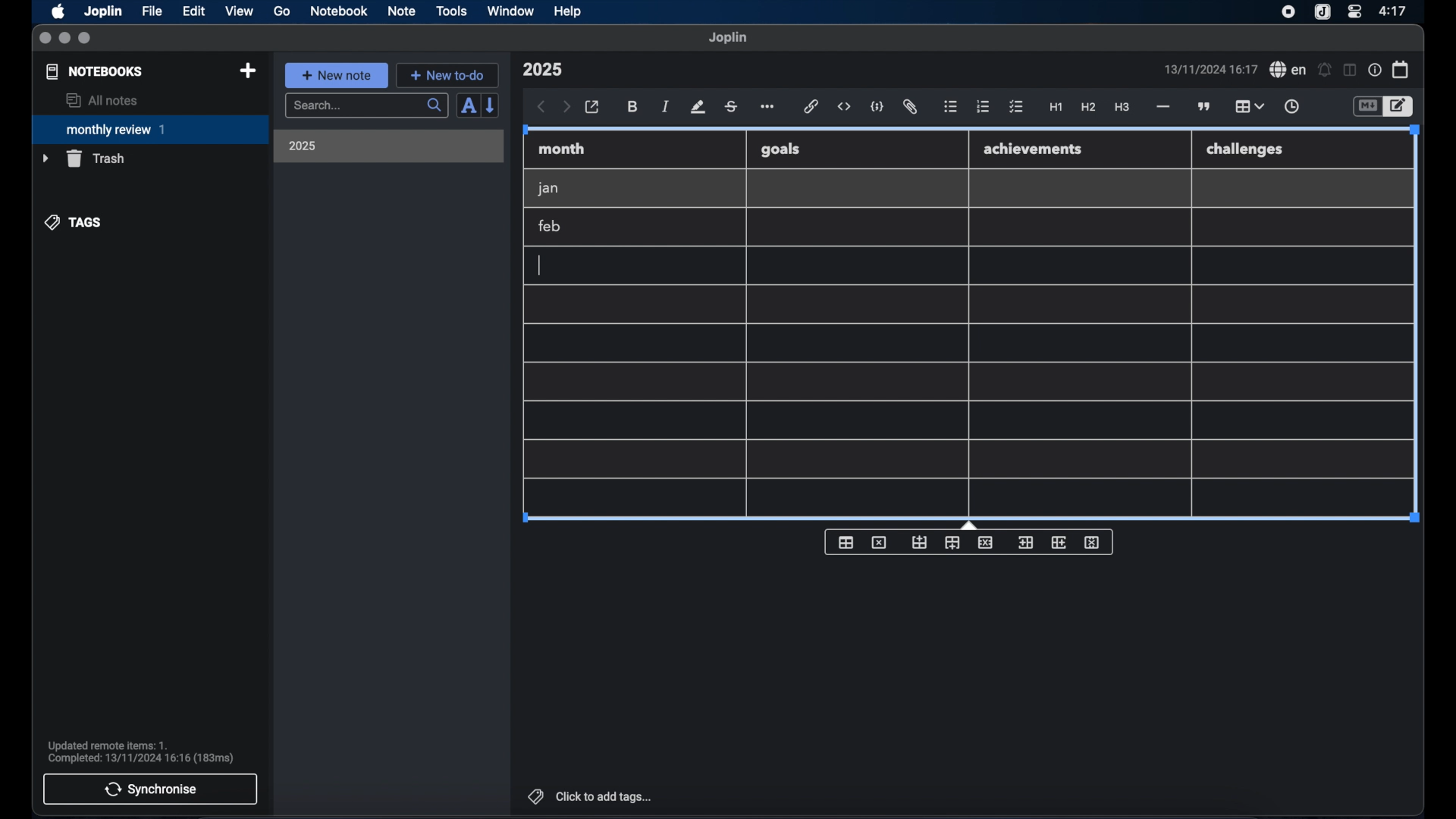  What do you see at coordinates (566, 108) in the screenshot?
I see `forward` at bounding box center [566, 108].